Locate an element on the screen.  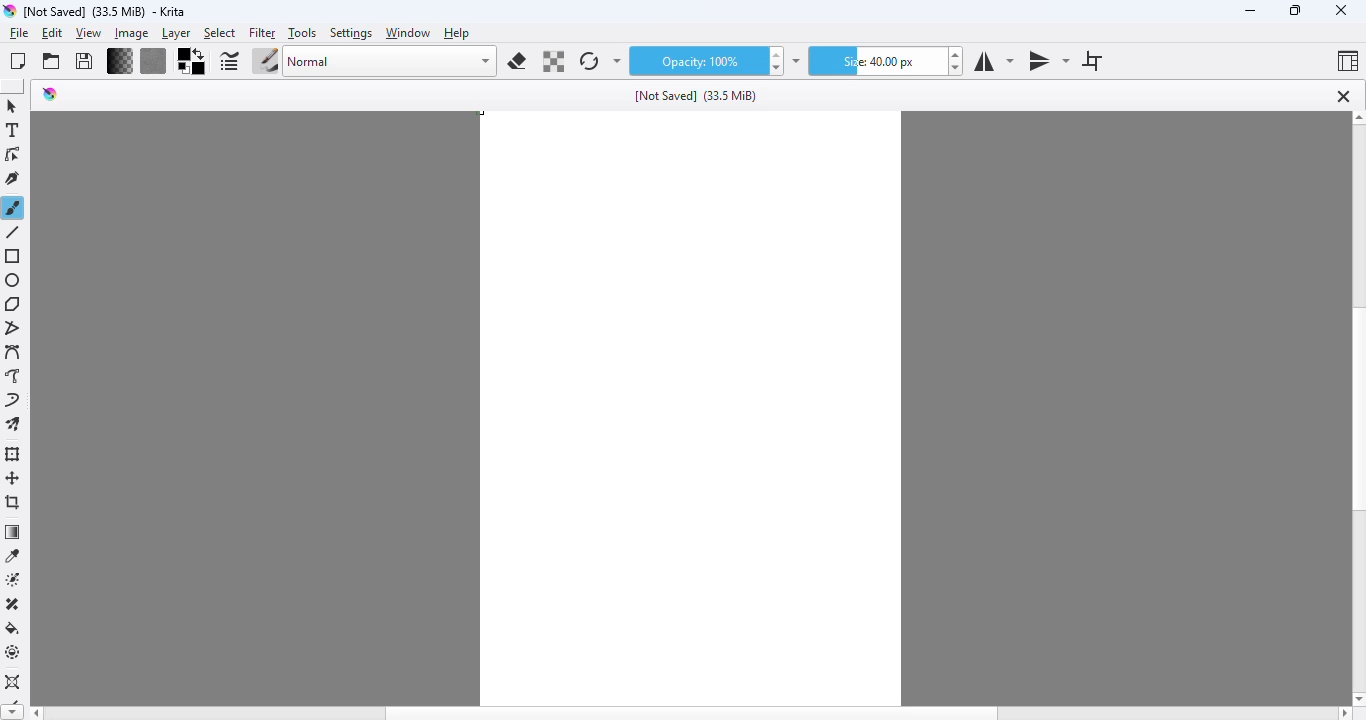
vertical mirror tool is located at coordinates (1049, 62).